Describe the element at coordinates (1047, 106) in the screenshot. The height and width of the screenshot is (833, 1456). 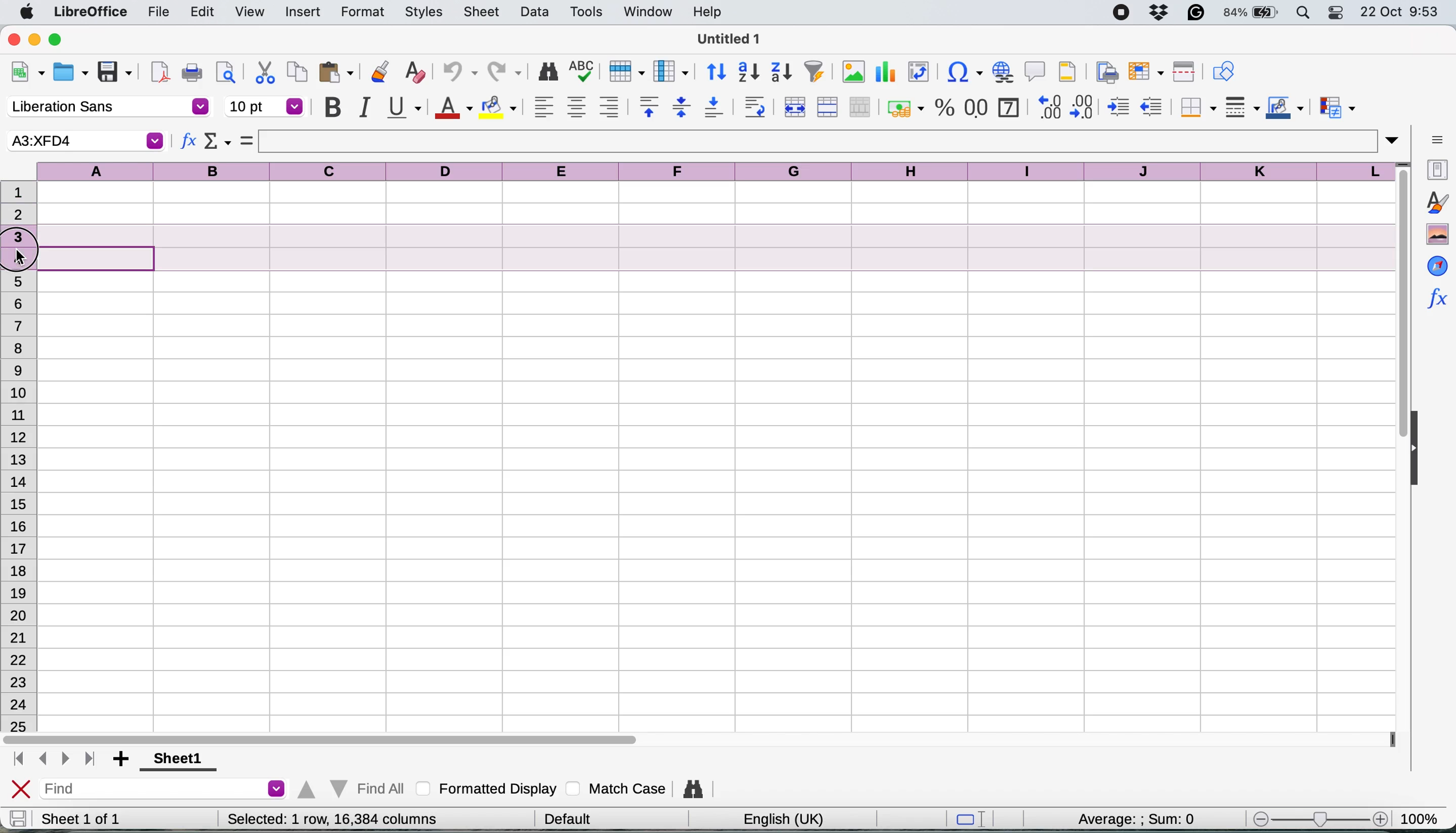
I see `add decimal place` at that location.